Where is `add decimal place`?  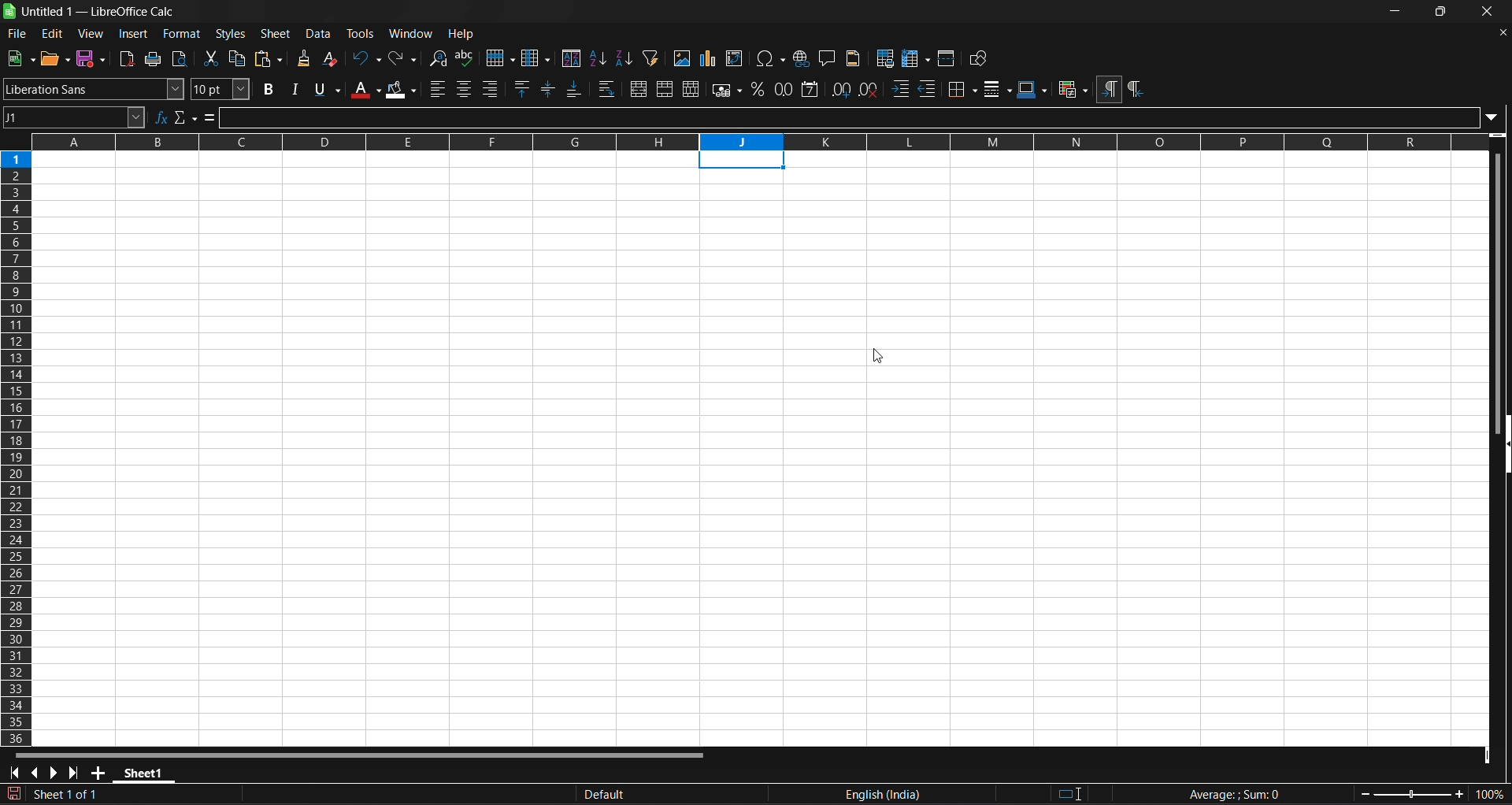 add decimal place is located at coordinates (840, 89).